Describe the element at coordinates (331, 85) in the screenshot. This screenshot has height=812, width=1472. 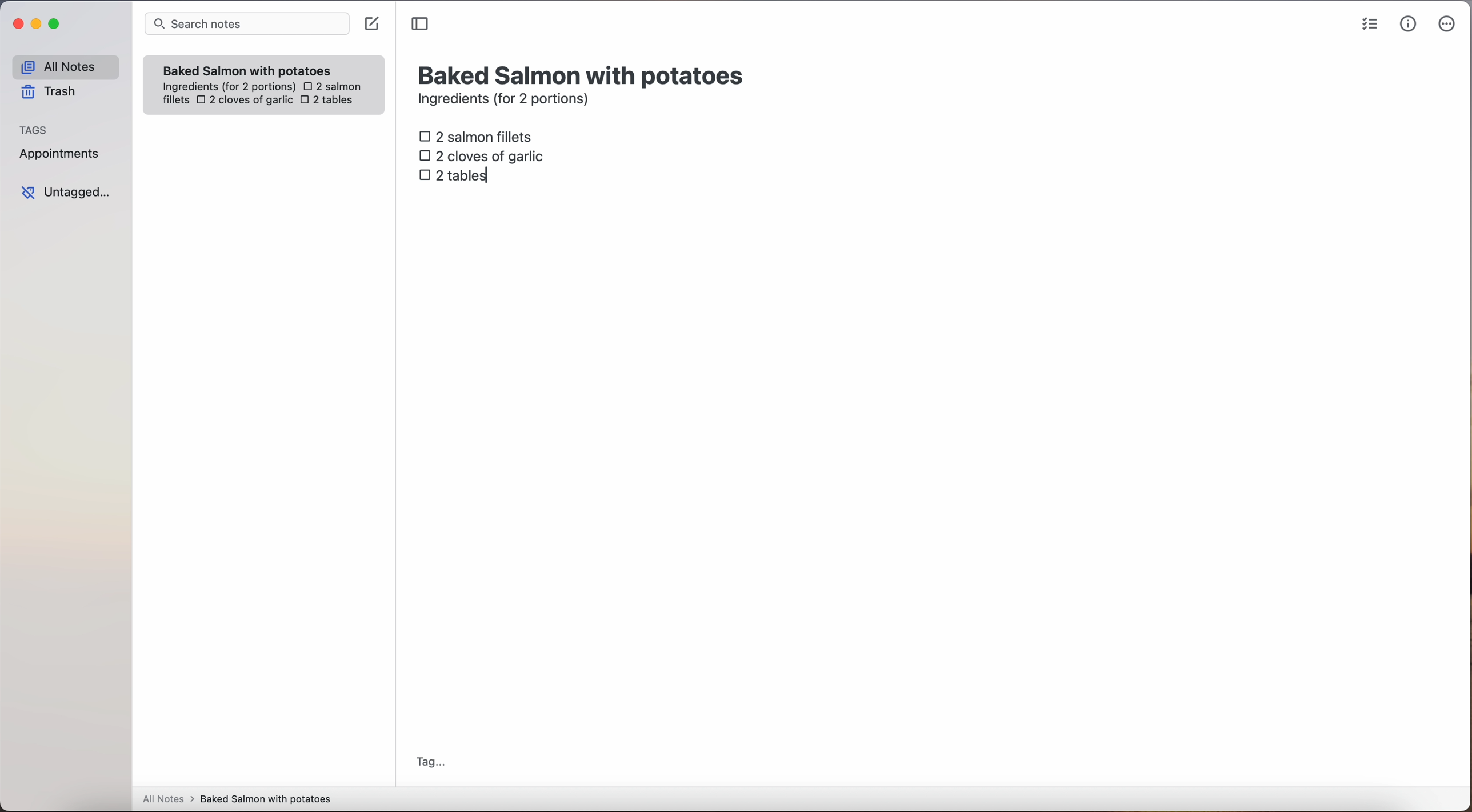
I see `2 salmon` at that location.